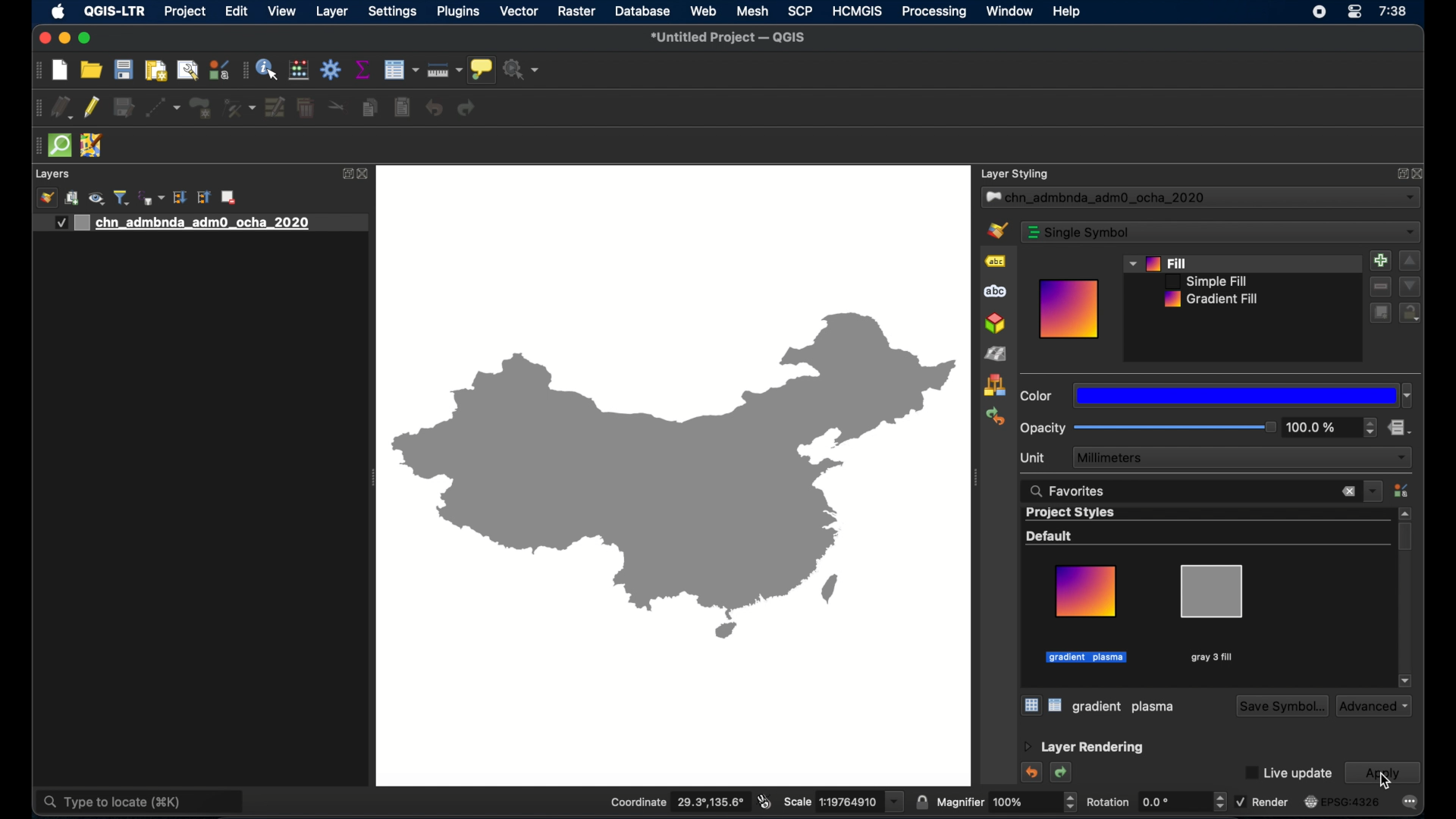 Image resolution: width=1456 pixels, height=819 pixels. Describe the element at coordinates (1374, 706) in the screenshot. I see `advanced ` at that location.